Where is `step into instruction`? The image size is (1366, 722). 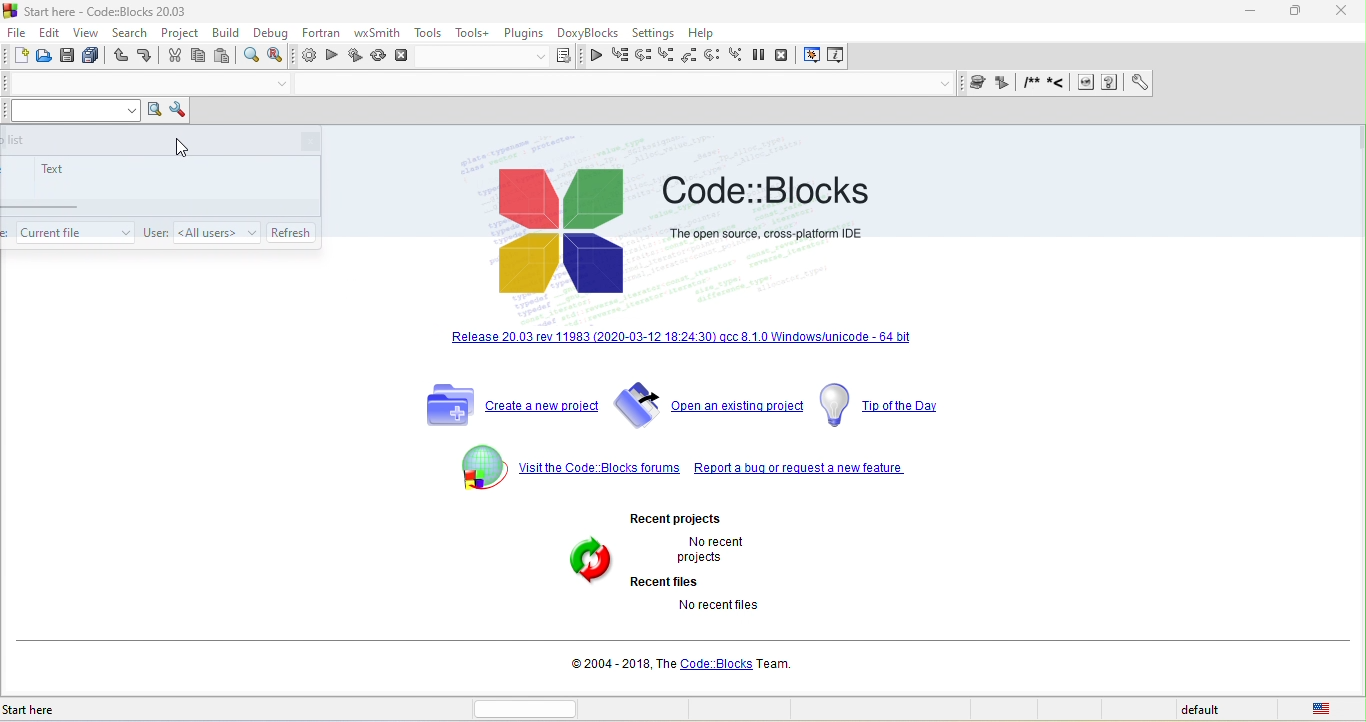
step into instruction is located at coordinates (738, 57).